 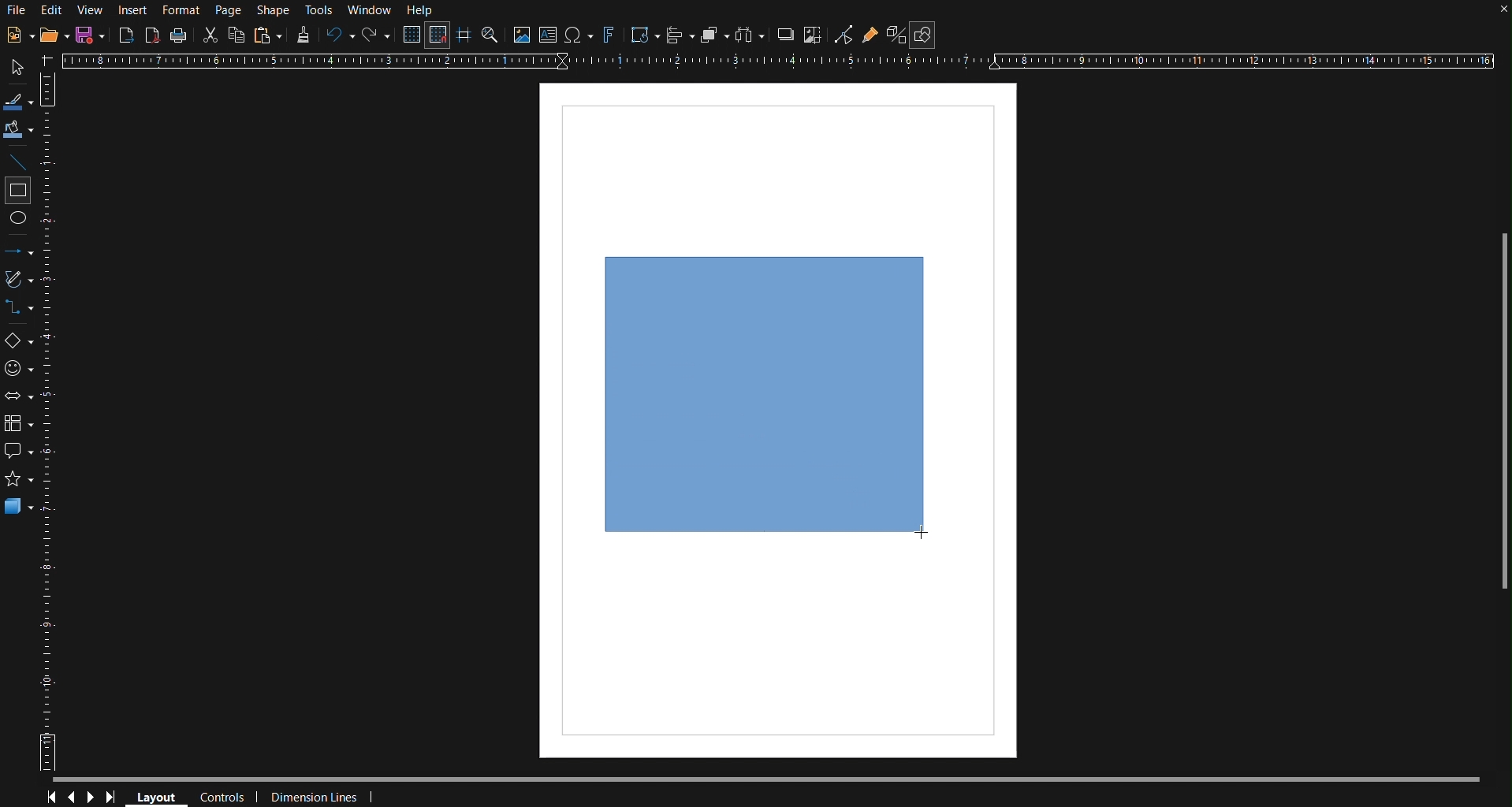 I want to click on Transformations, so click(x=643, y=35).